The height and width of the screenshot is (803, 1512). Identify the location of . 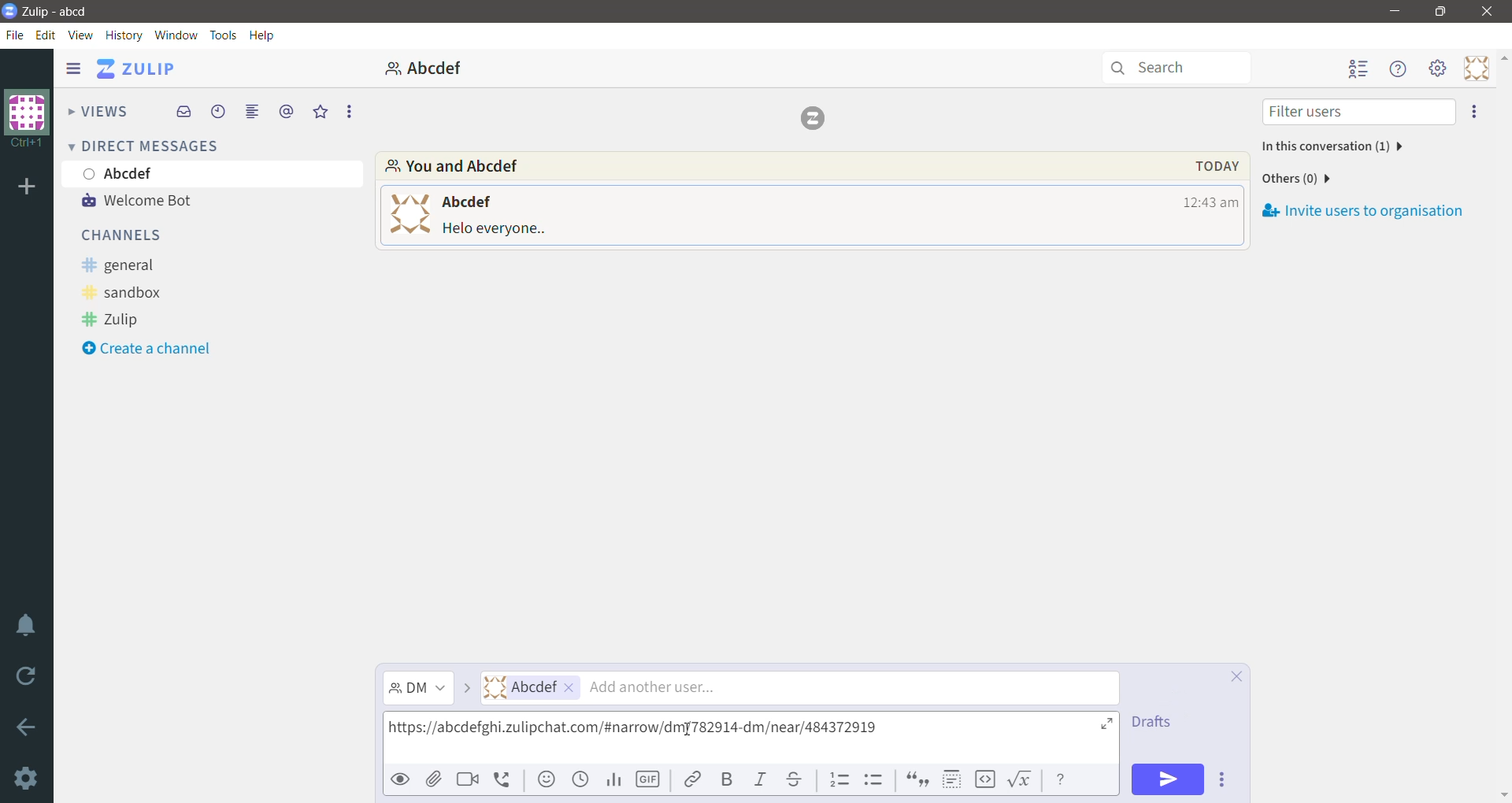
(696, 779).